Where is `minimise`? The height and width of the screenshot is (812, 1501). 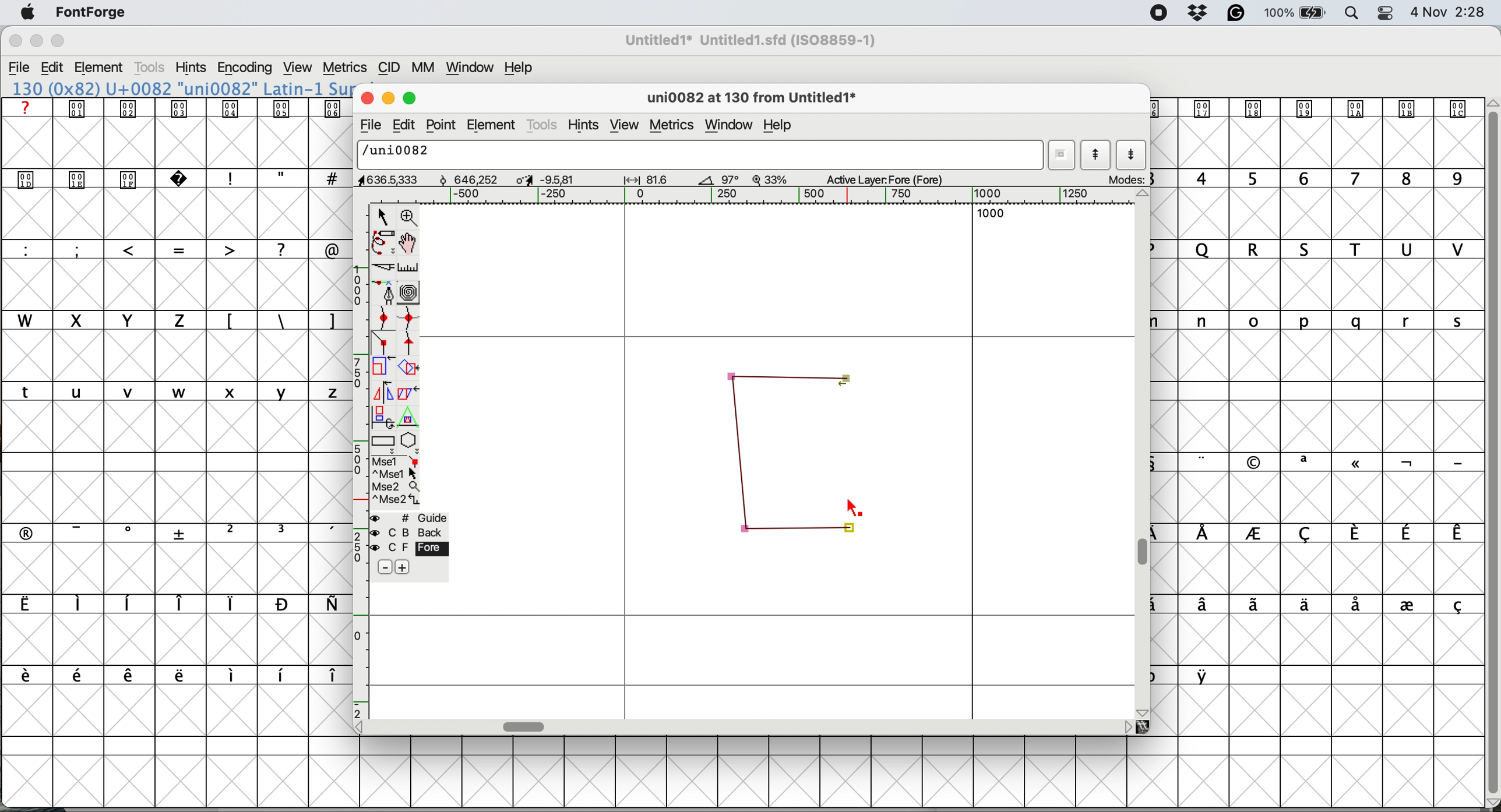 minimise is located at coordinates (36, 41).